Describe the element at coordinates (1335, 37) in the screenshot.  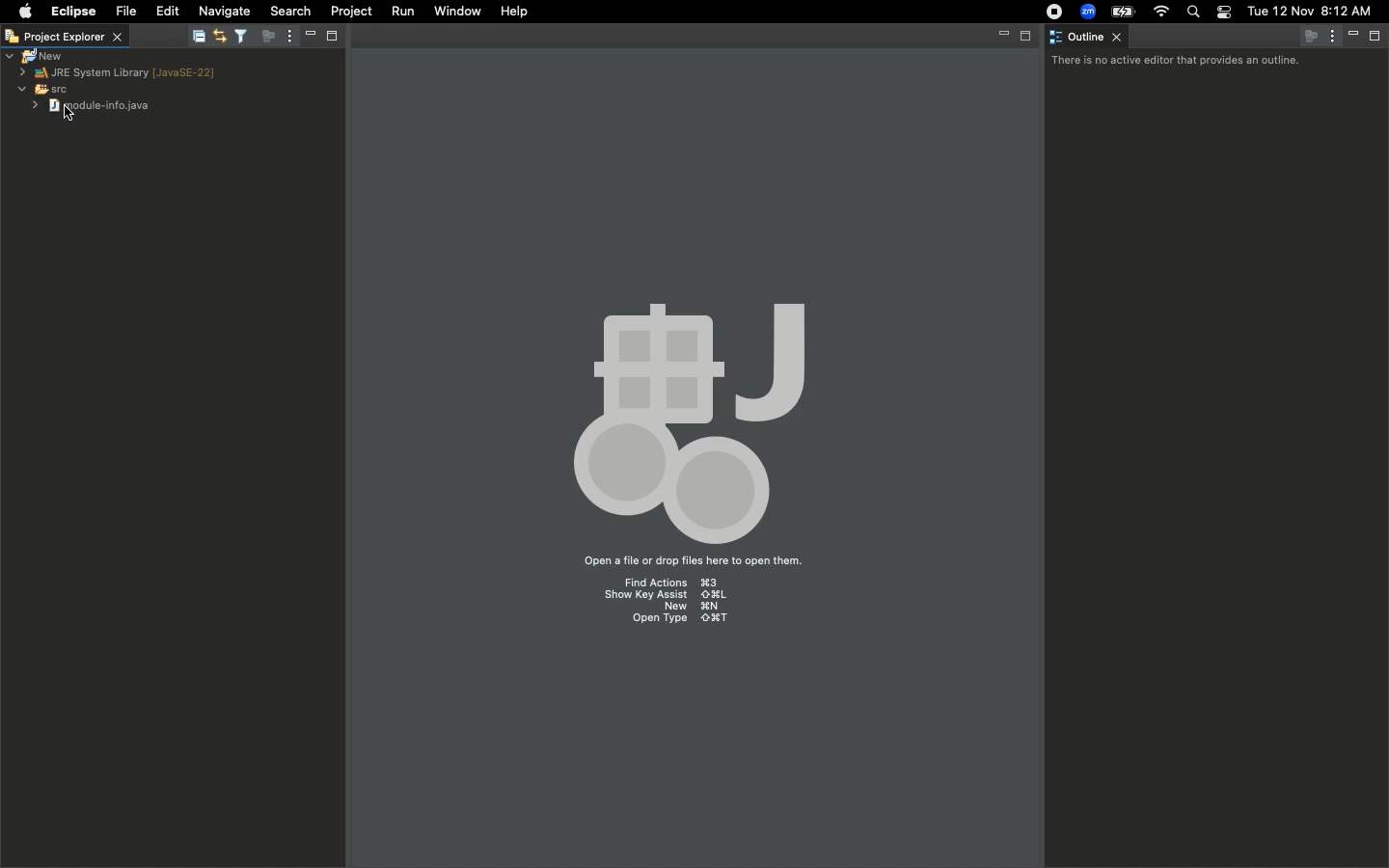
I see `Options` at that location.